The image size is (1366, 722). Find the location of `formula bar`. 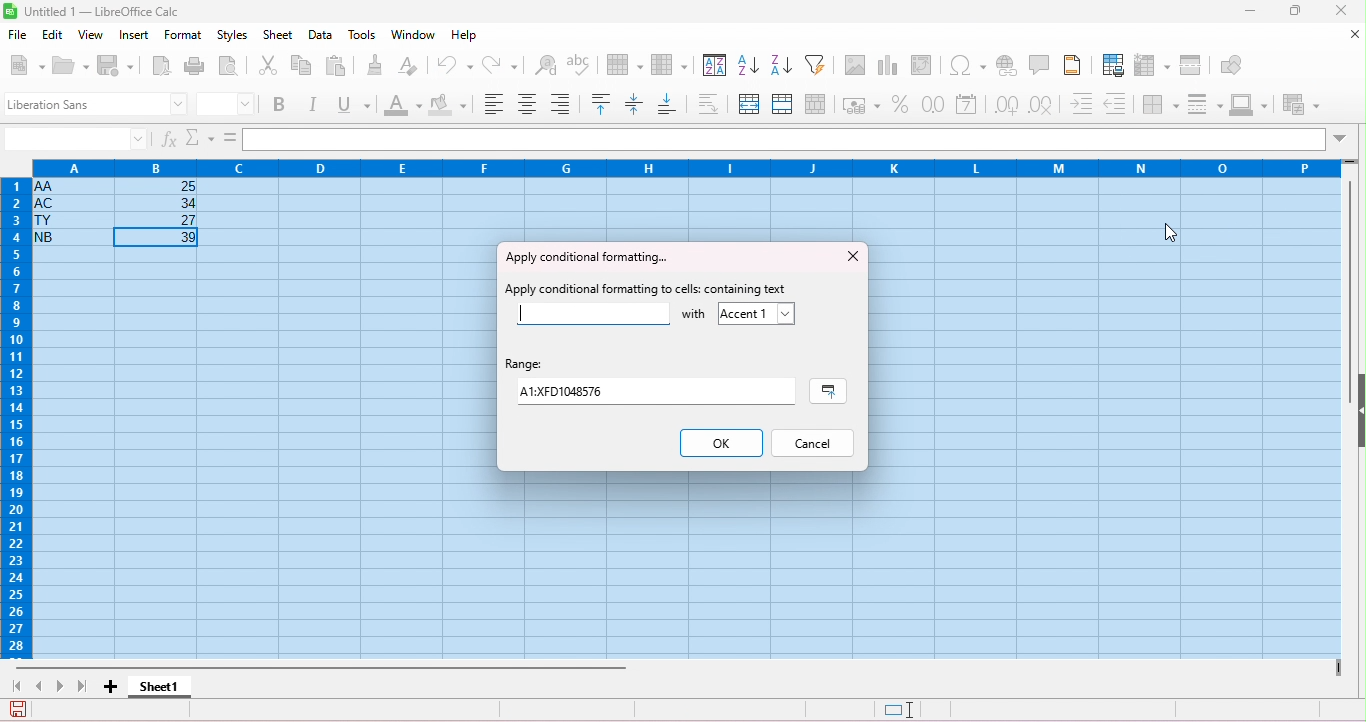

formula bar is located at coordinates (784, 140).